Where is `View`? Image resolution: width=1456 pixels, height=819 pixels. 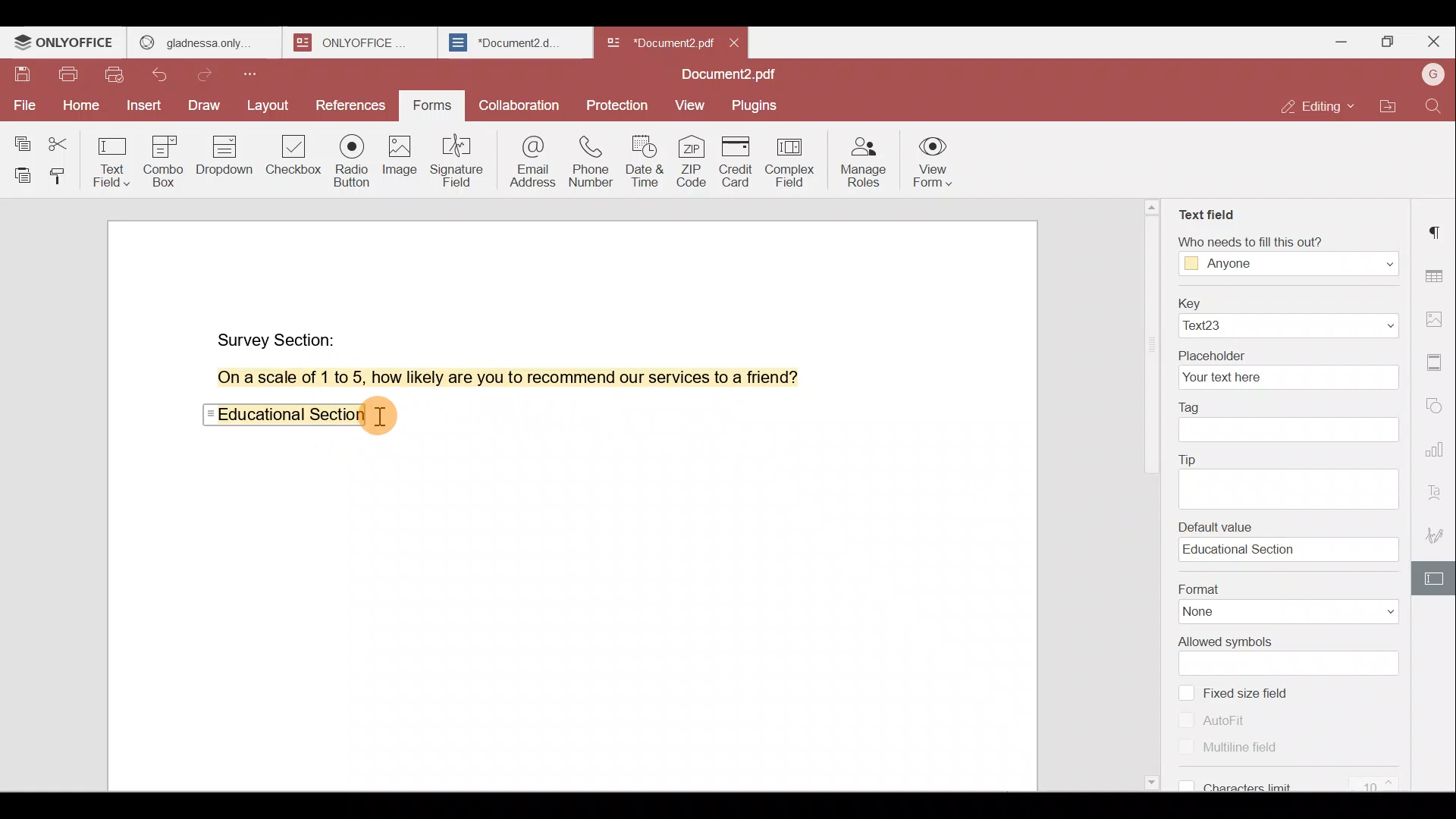 View is located at coordinates (690, 106).